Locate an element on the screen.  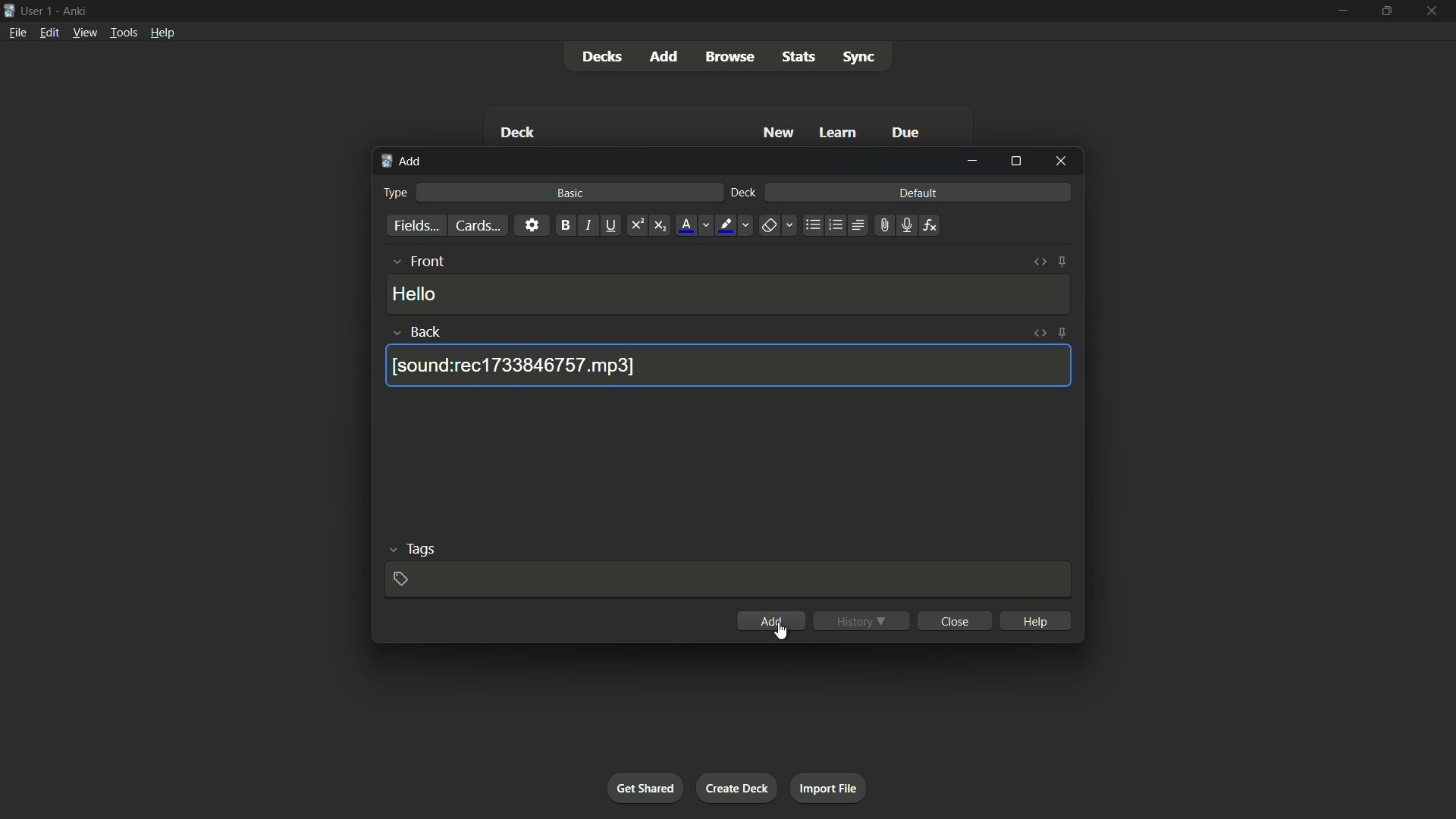
file menu is located at coordinates (18, 33).